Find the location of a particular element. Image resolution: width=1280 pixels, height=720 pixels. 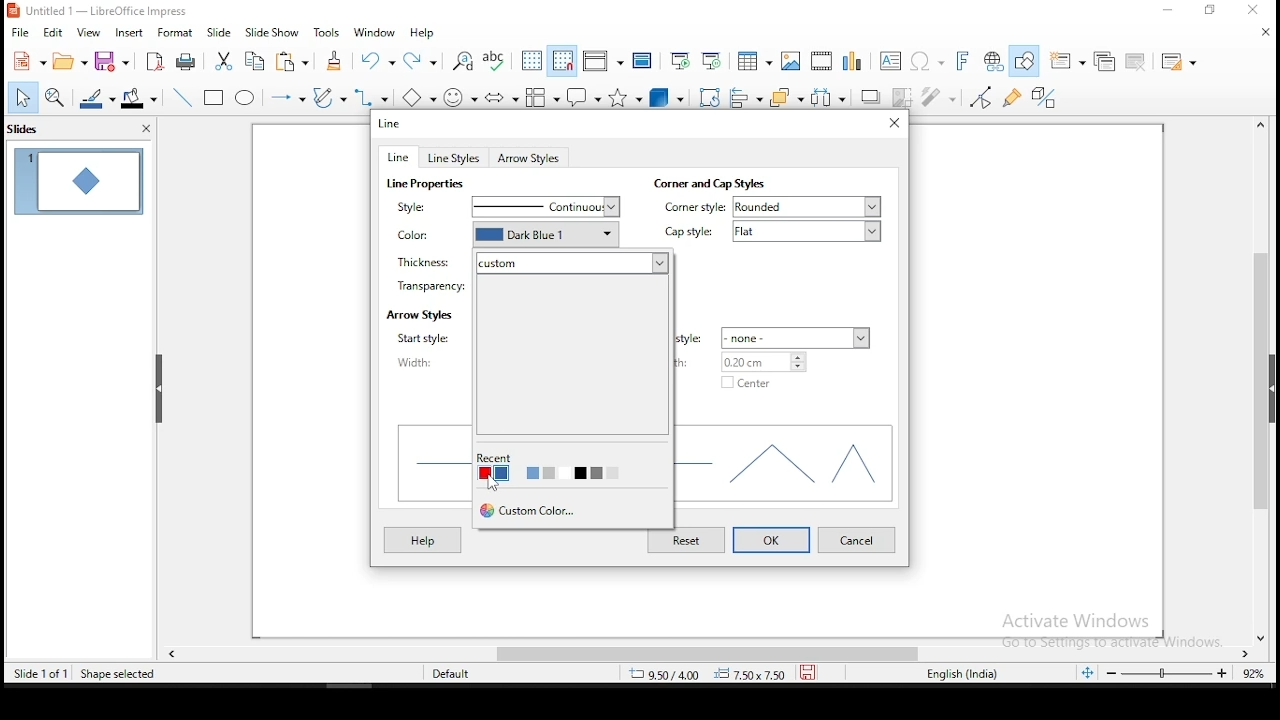

close window is located at coordinates (1255, 10).